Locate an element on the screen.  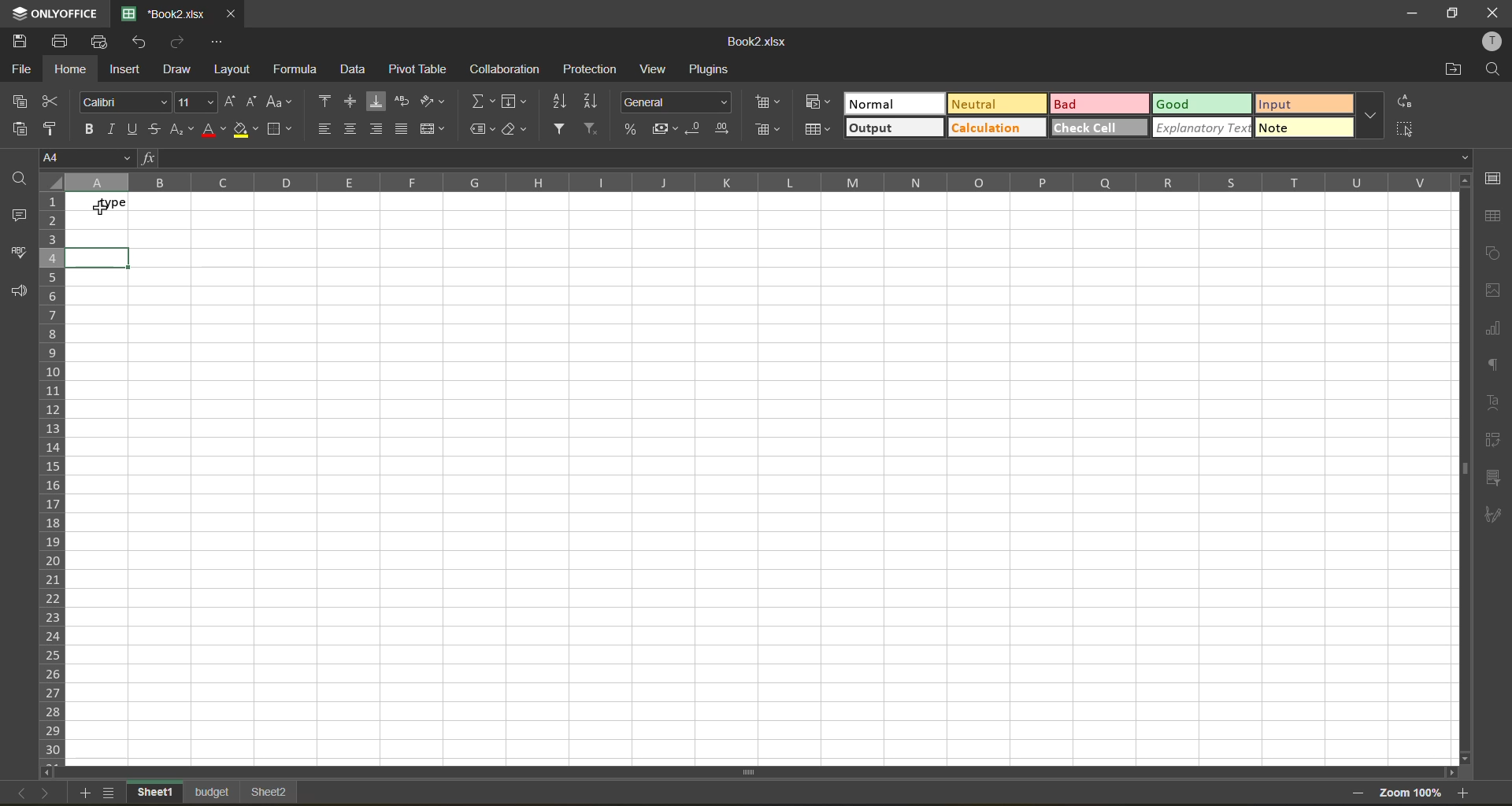
file name is located at coordinates (756, 42).